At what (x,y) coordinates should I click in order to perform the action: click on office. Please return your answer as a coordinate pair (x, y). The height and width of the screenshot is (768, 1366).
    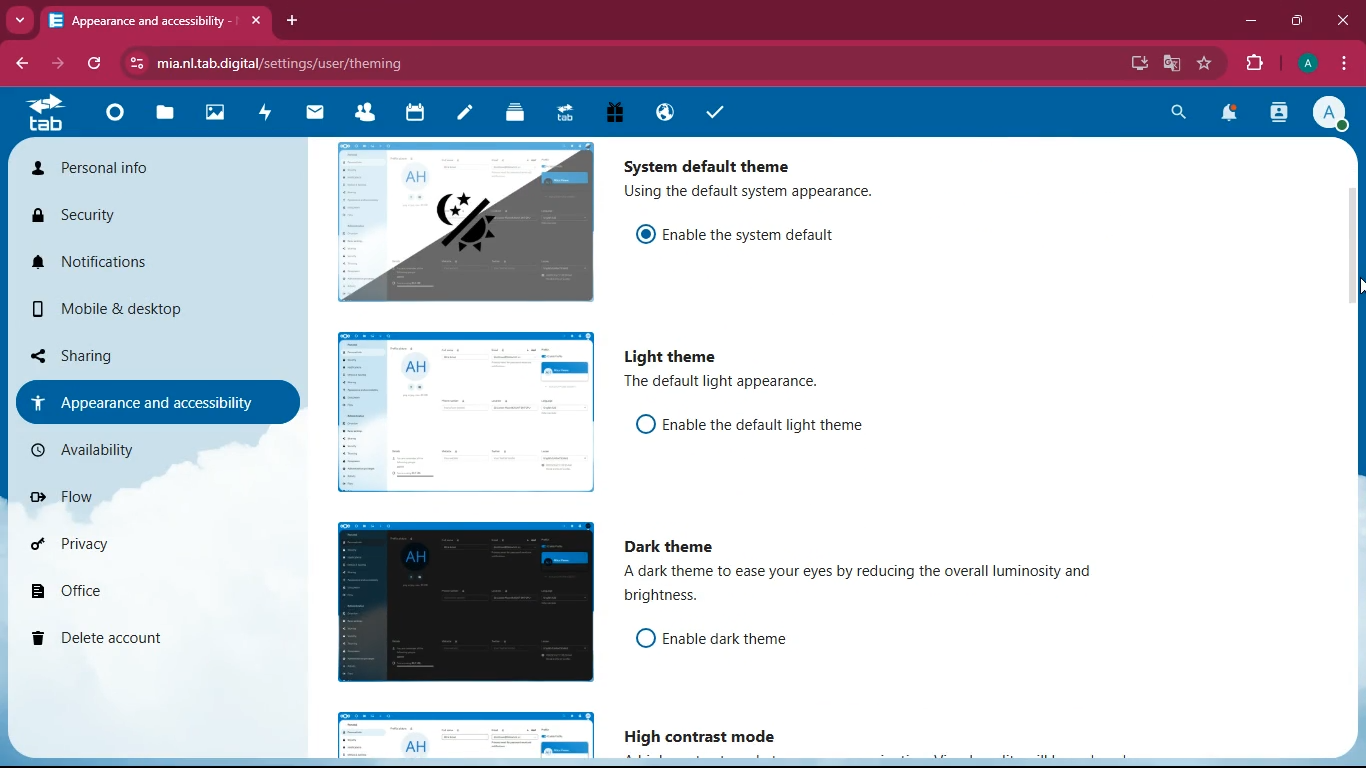
    Looking at the image, I should click on (138, 594).